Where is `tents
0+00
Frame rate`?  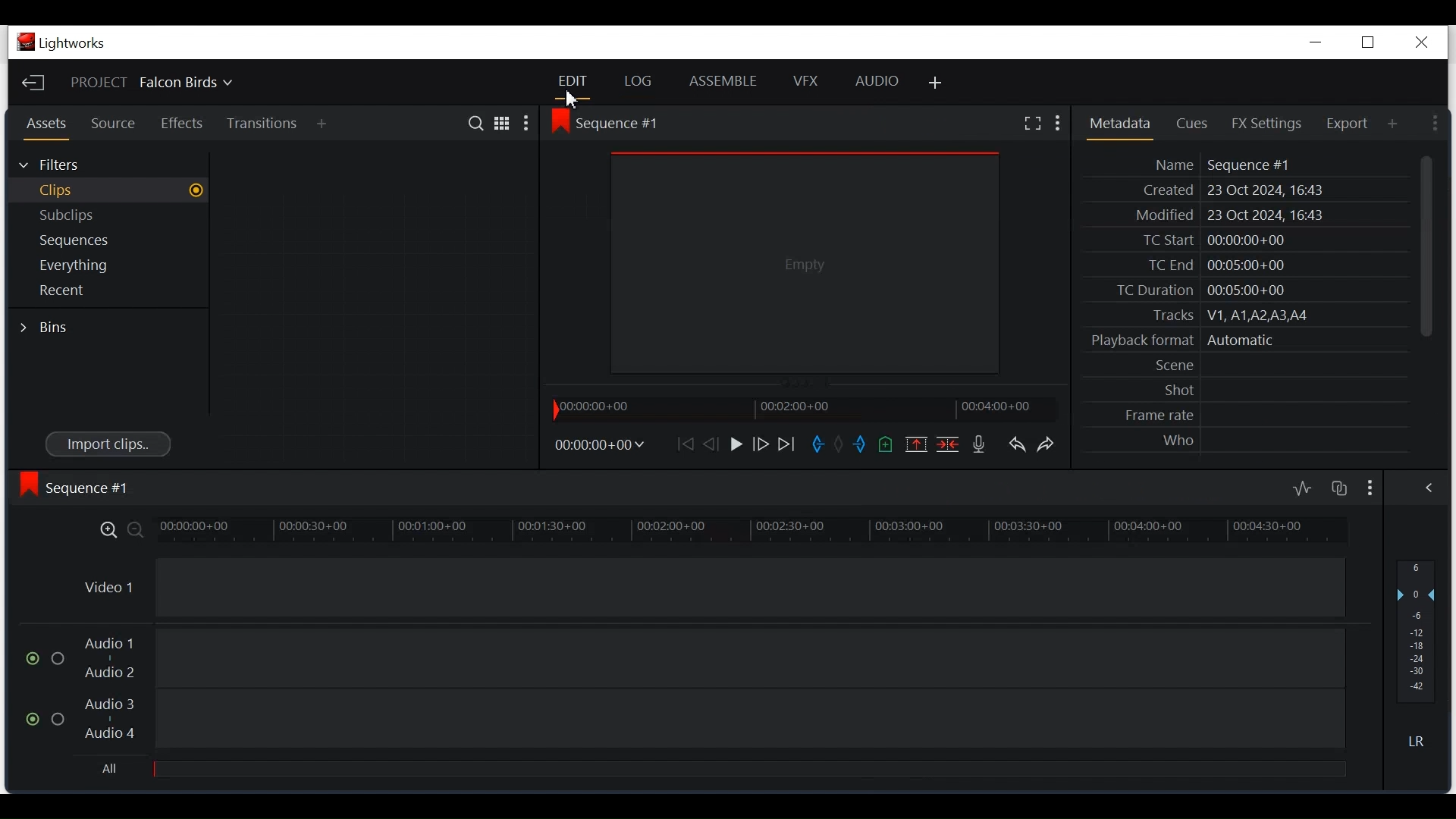 tents
0+00
Frame rate is located at coordinates (1168, 416).